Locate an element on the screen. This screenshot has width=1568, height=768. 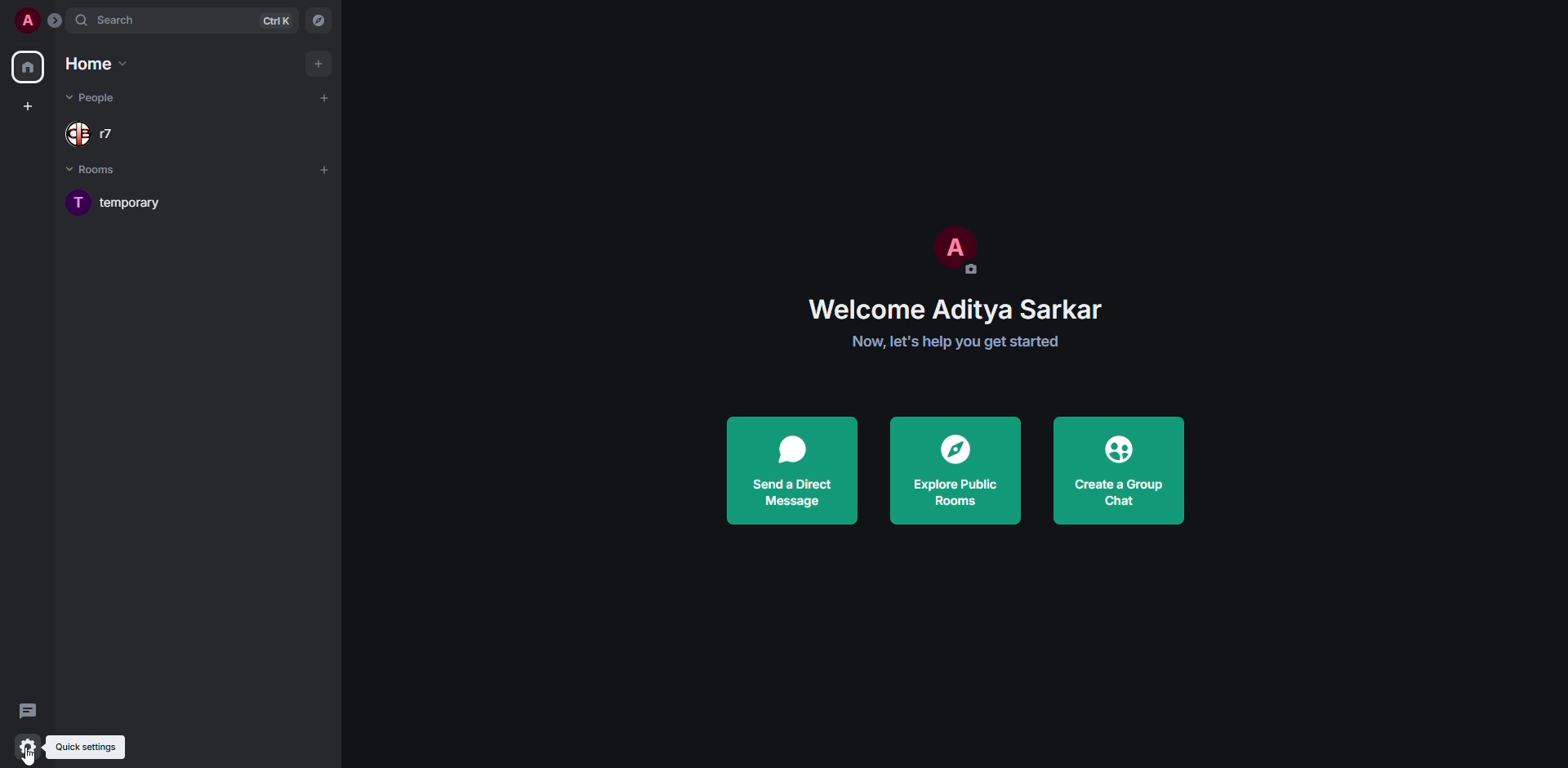
add is located at coordinates (323, 170).